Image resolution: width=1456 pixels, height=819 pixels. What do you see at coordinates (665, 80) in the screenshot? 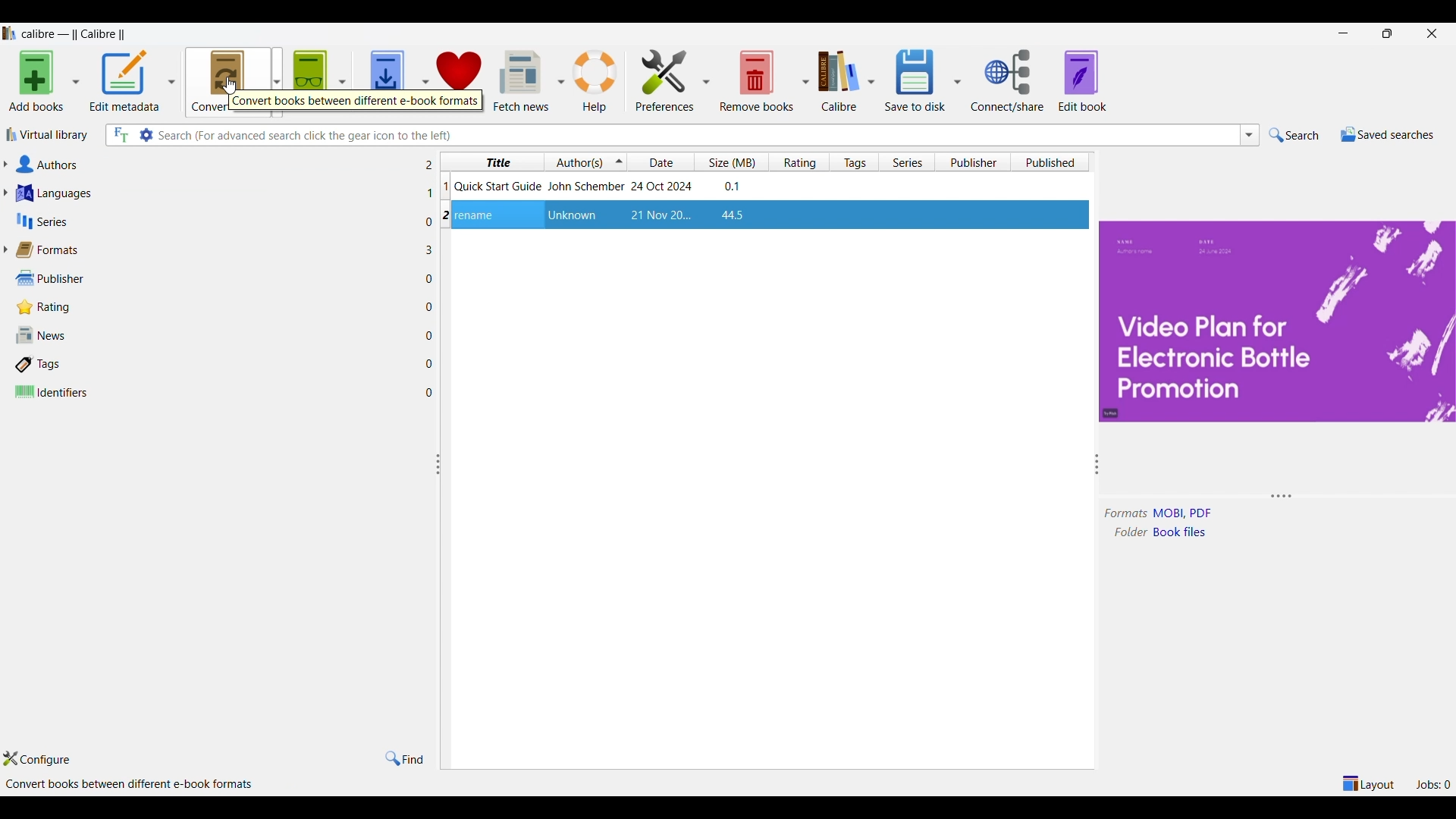
I see `Preferences` at bounding box center [665, 80].